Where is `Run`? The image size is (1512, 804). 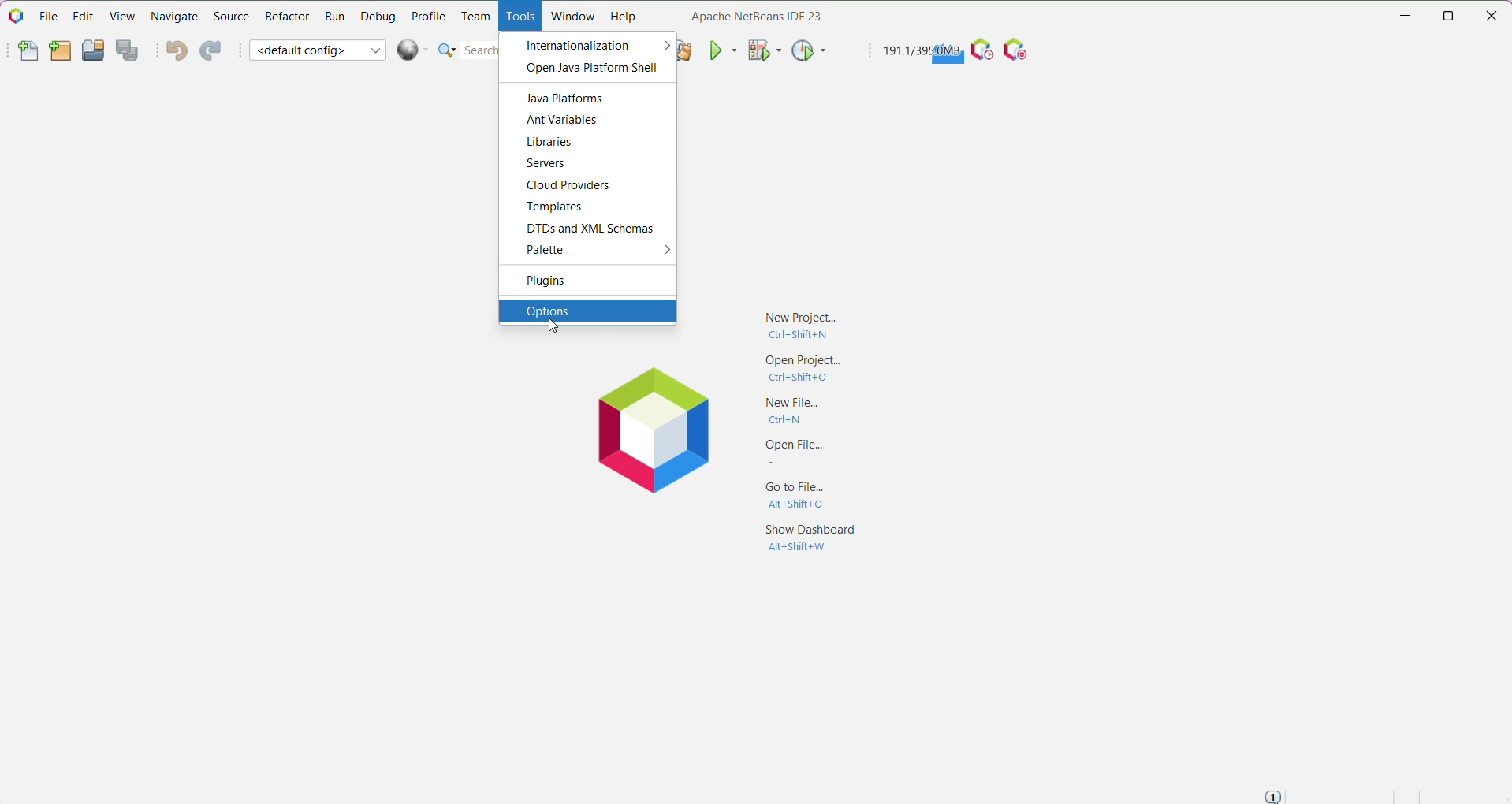 Run is located at coordinates (333, 17).